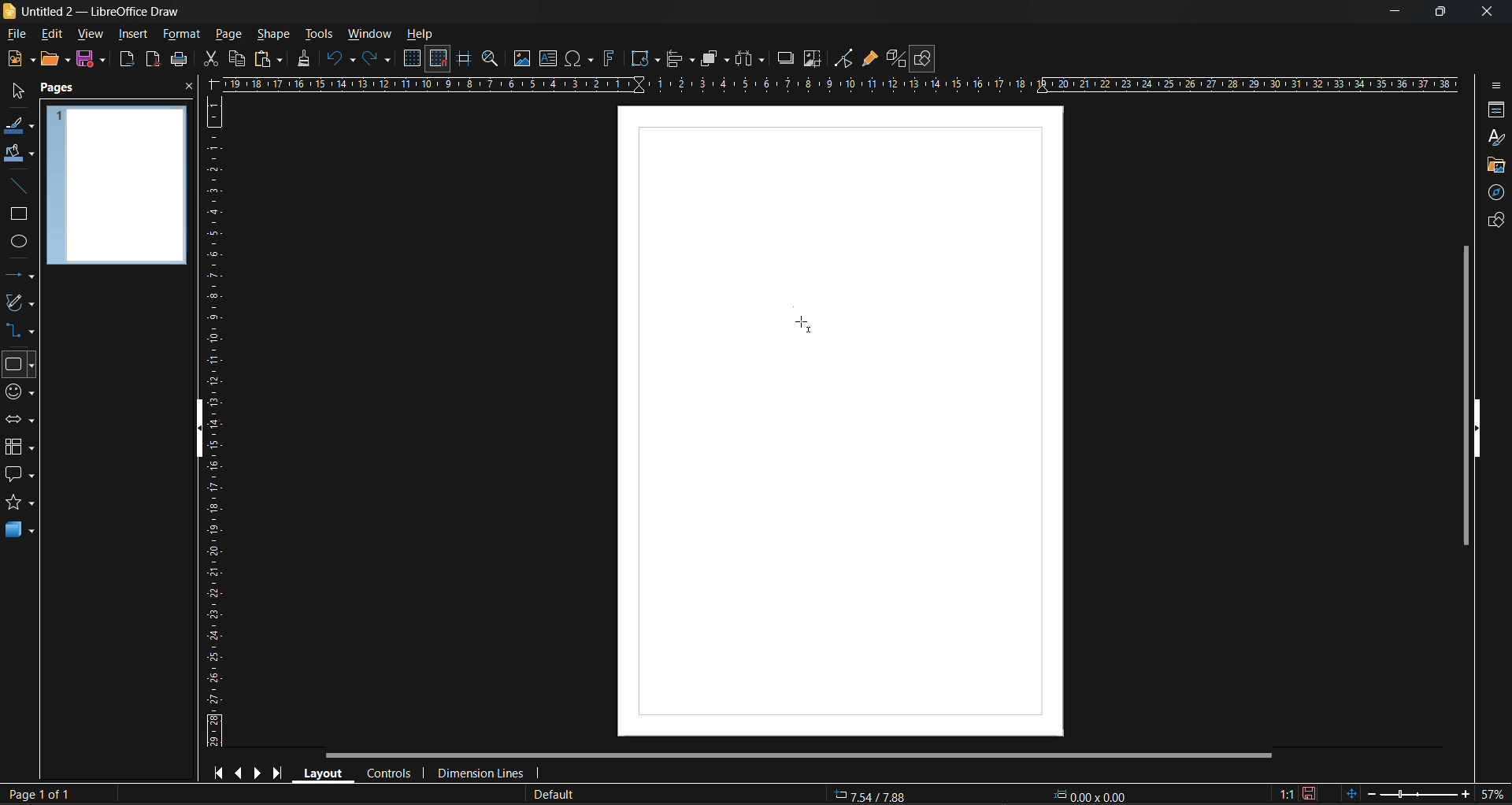  Describe the element at coordinates (24, 278) in the screenshot. I see `lines and arrows` at that location.